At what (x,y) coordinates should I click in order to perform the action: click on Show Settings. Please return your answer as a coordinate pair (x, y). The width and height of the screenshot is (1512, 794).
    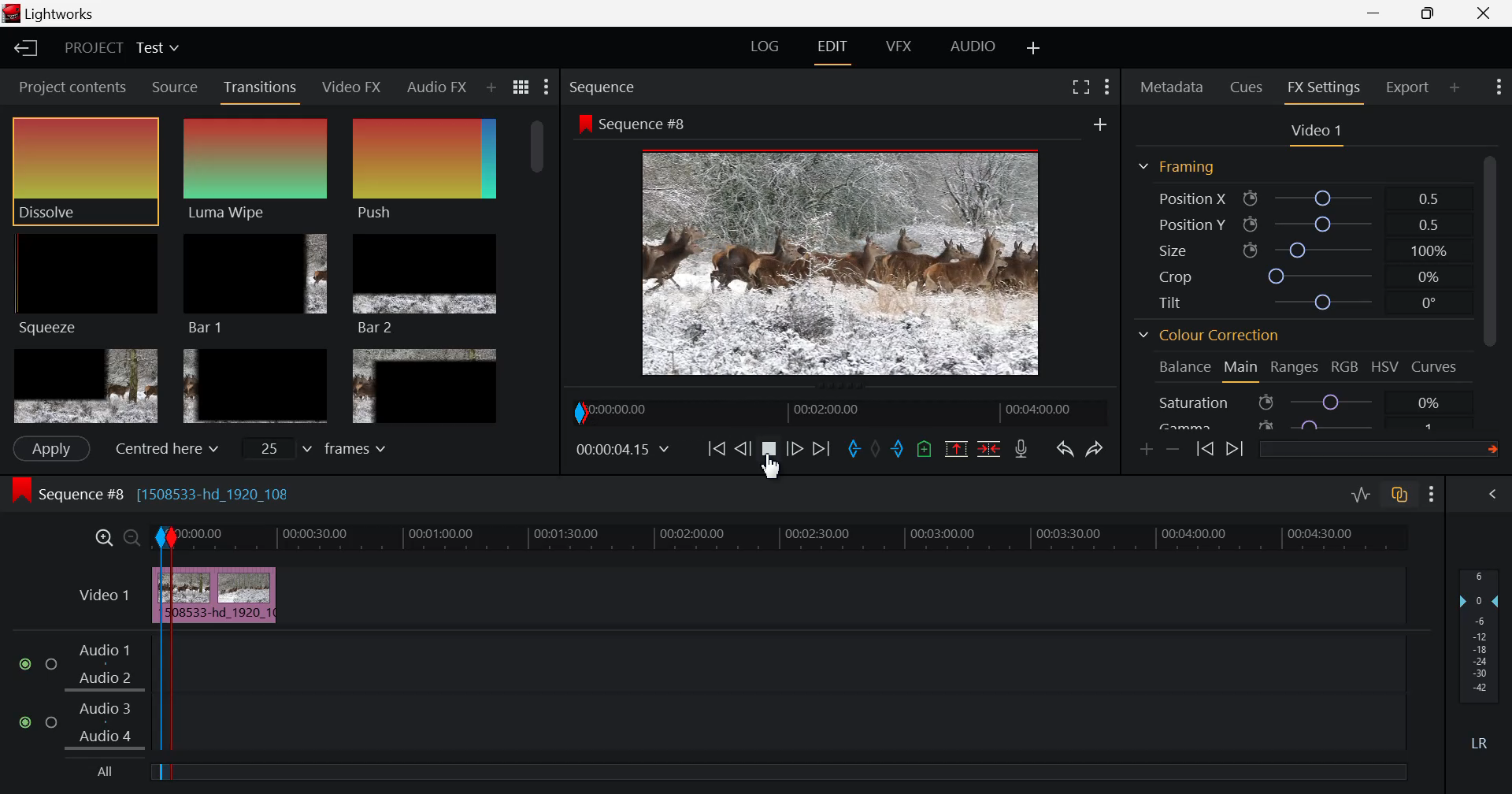
    Looking at the image, I should click on (1435, 493).